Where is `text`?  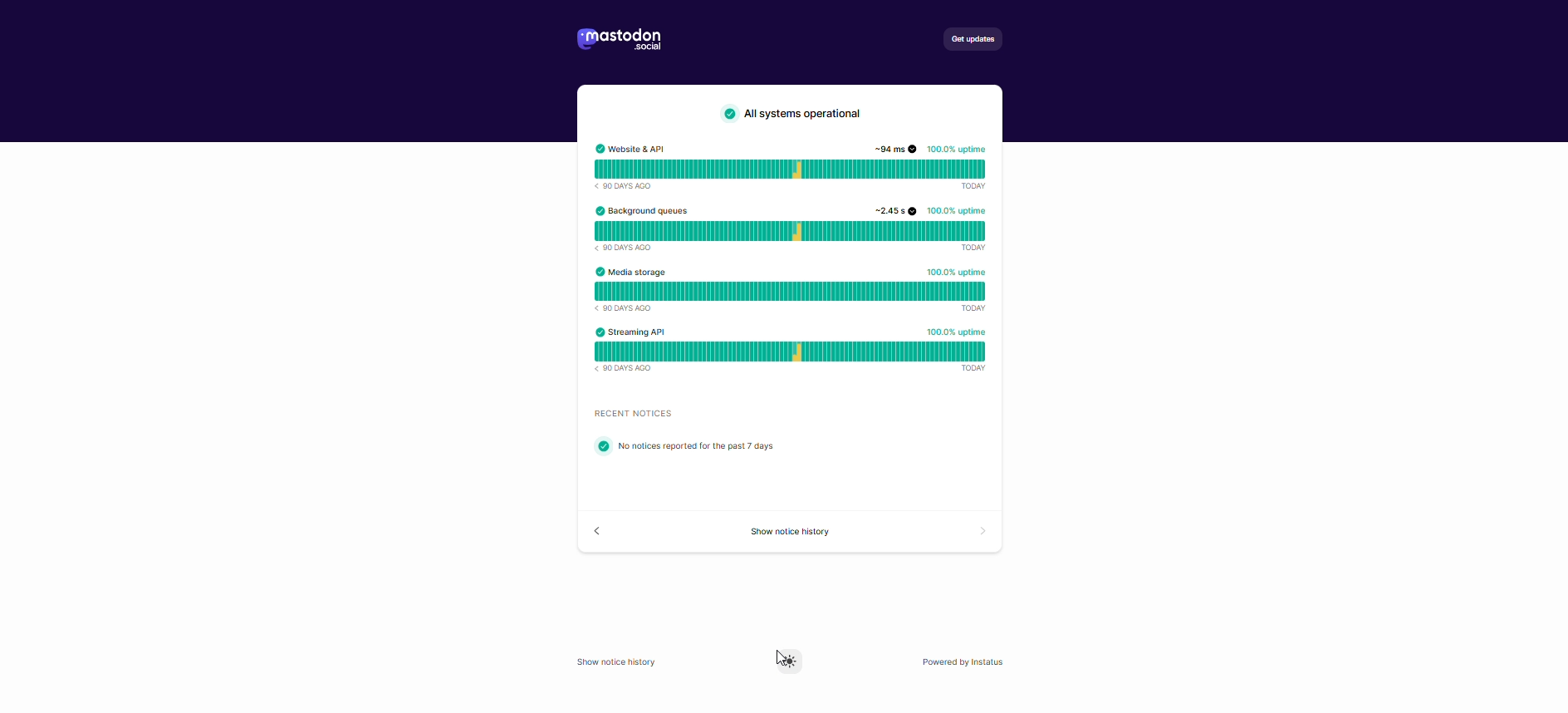 text is located at coordinates (790, 115).